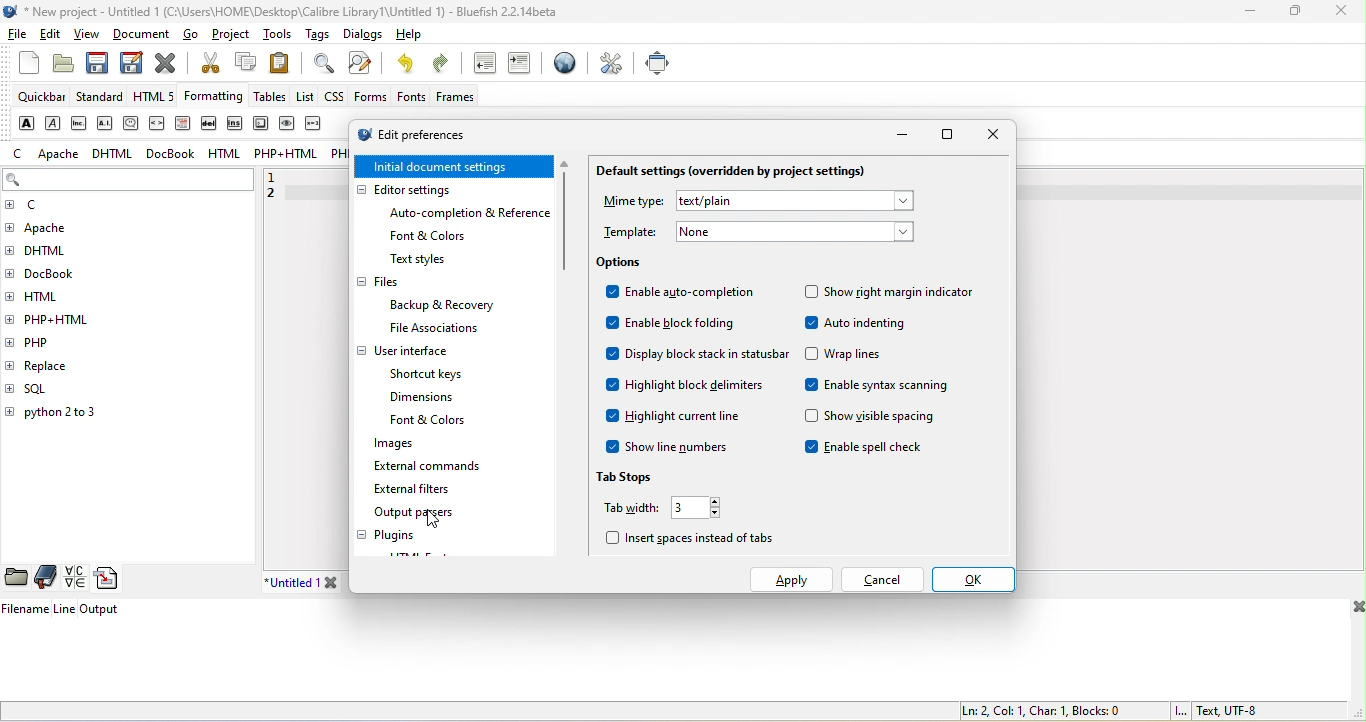  I want to click on bookmarks, so click(47, 577).